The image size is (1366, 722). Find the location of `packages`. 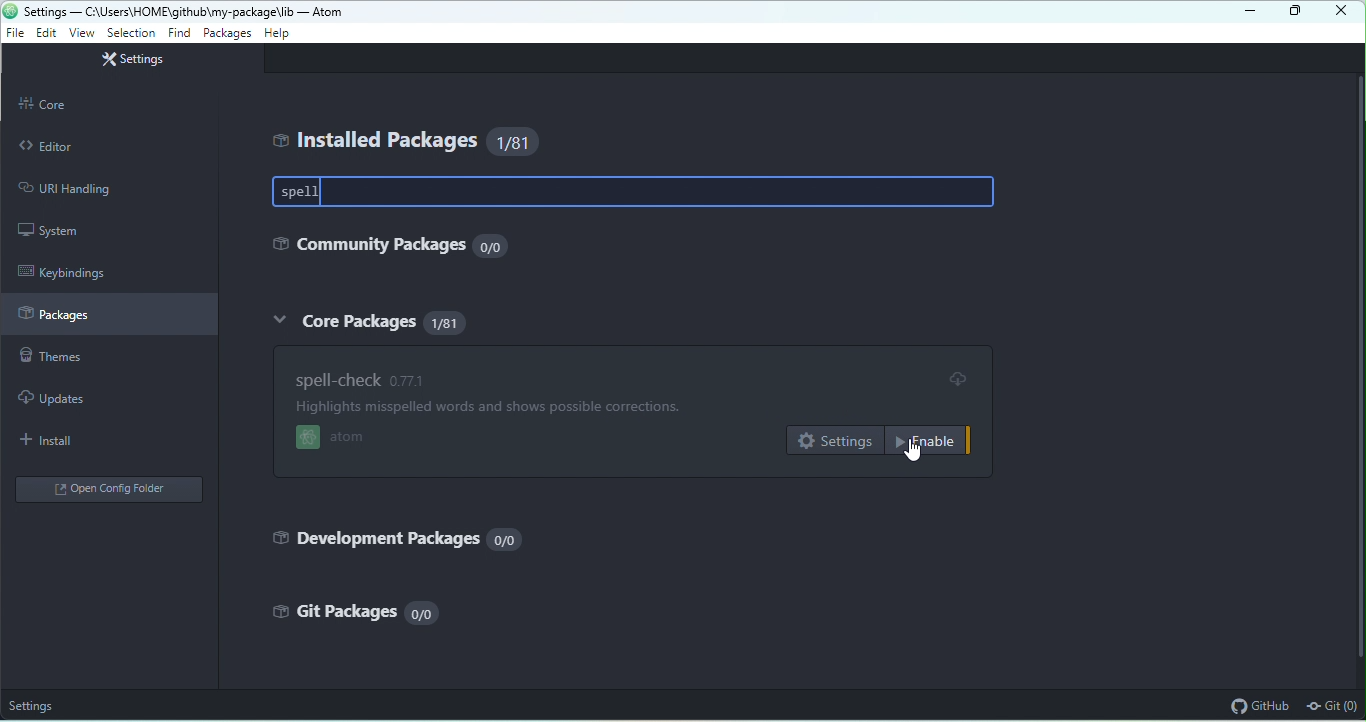

packages is located at coordinates (226, 33).